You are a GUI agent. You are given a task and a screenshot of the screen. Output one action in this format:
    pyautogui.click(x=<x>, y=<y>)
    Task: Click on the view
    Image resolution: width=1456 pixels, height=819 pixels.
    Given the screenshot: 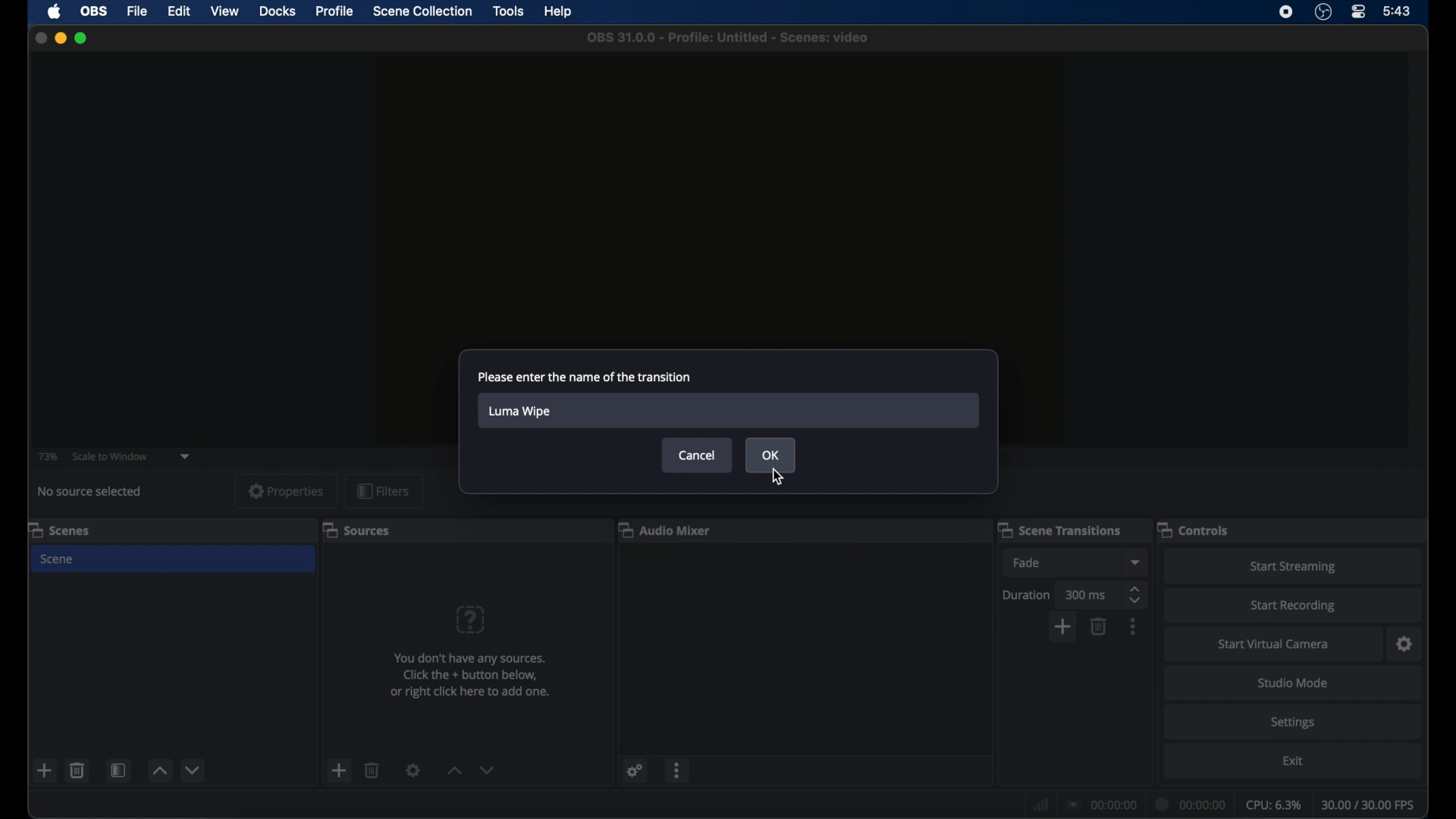 What is the action you would take?
    pyautogui.click(x=224, y=11)
    